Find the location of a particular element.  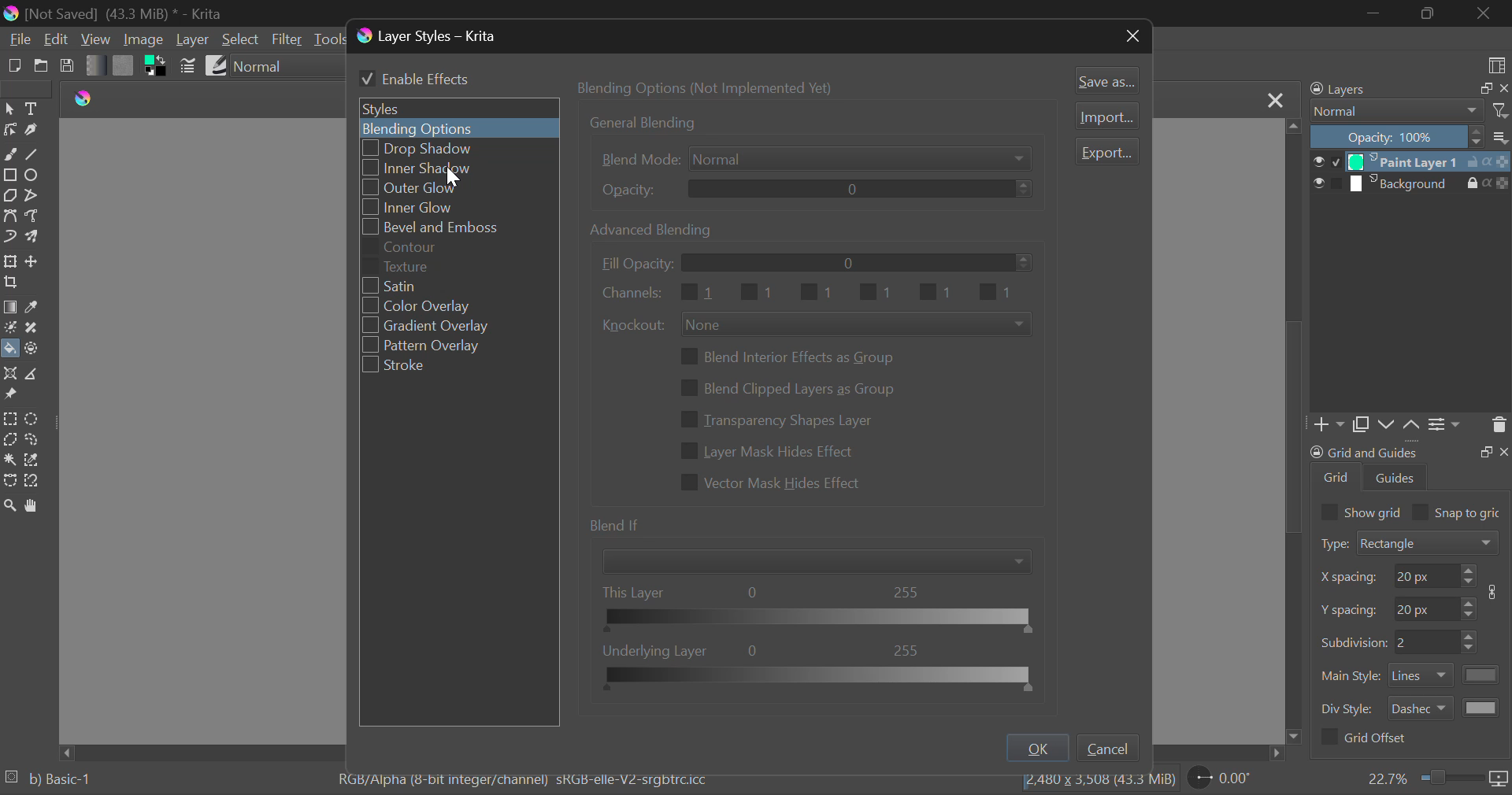

Cursor on Layer is located at coordinates (1399, 162).